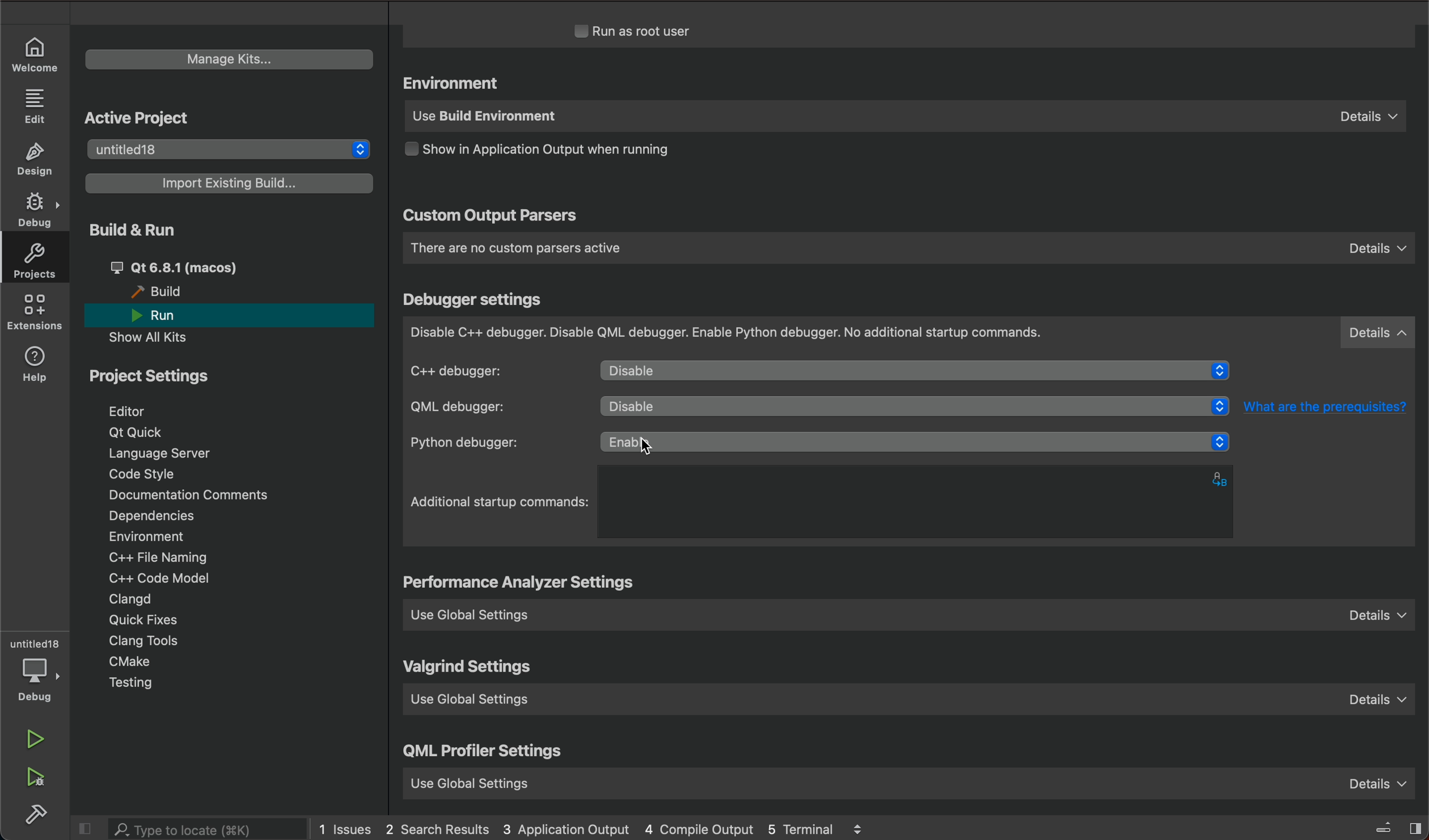  Describe the element at coordinates (225, 57) in the screenshot. I see `manage kits` at that location.